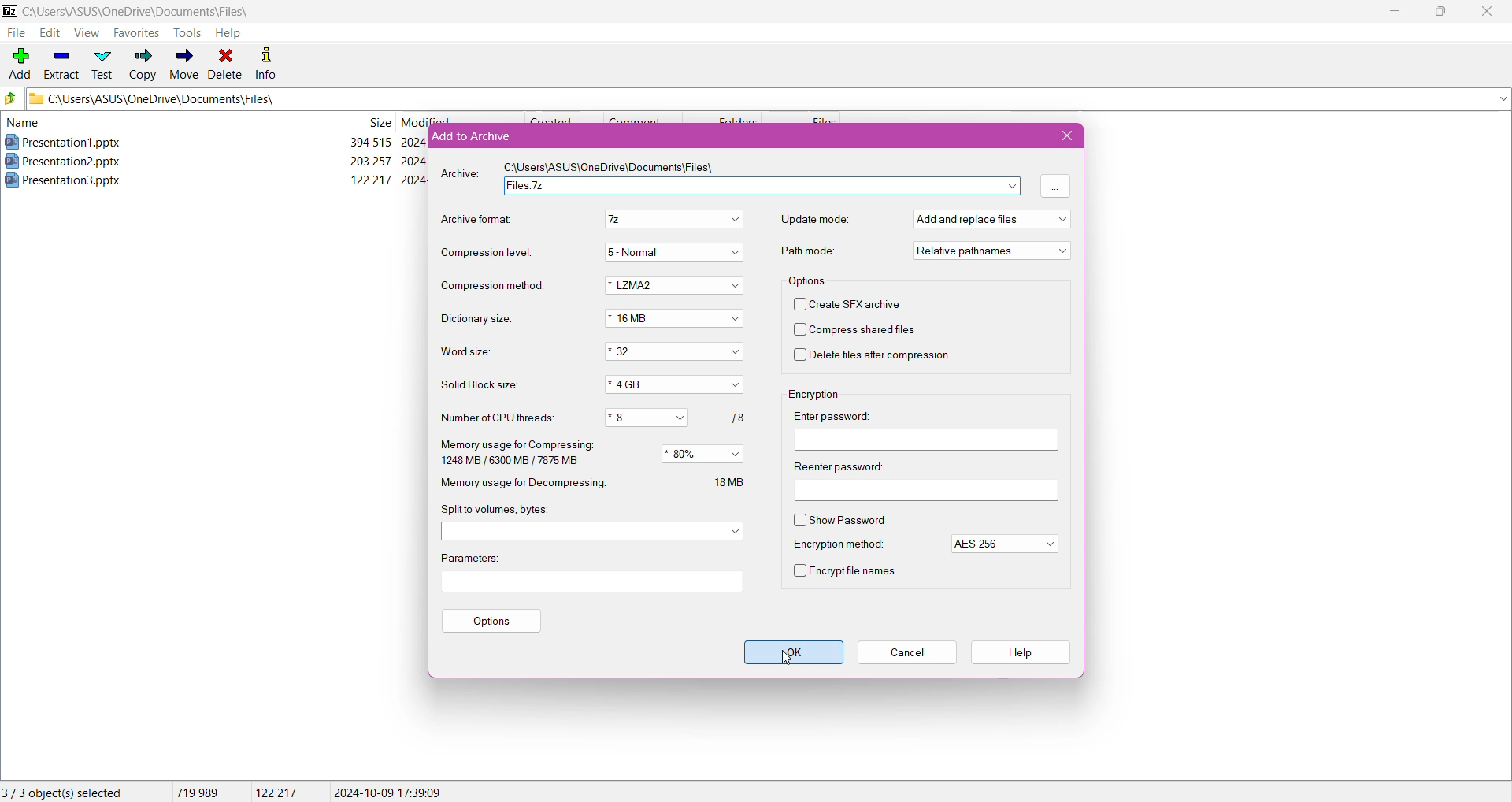 This screenshot has width=1512, height=802. What do you see at coordinates (49, 33) in the screenshot?
I see `Edit` at bounding box center [49, 33].